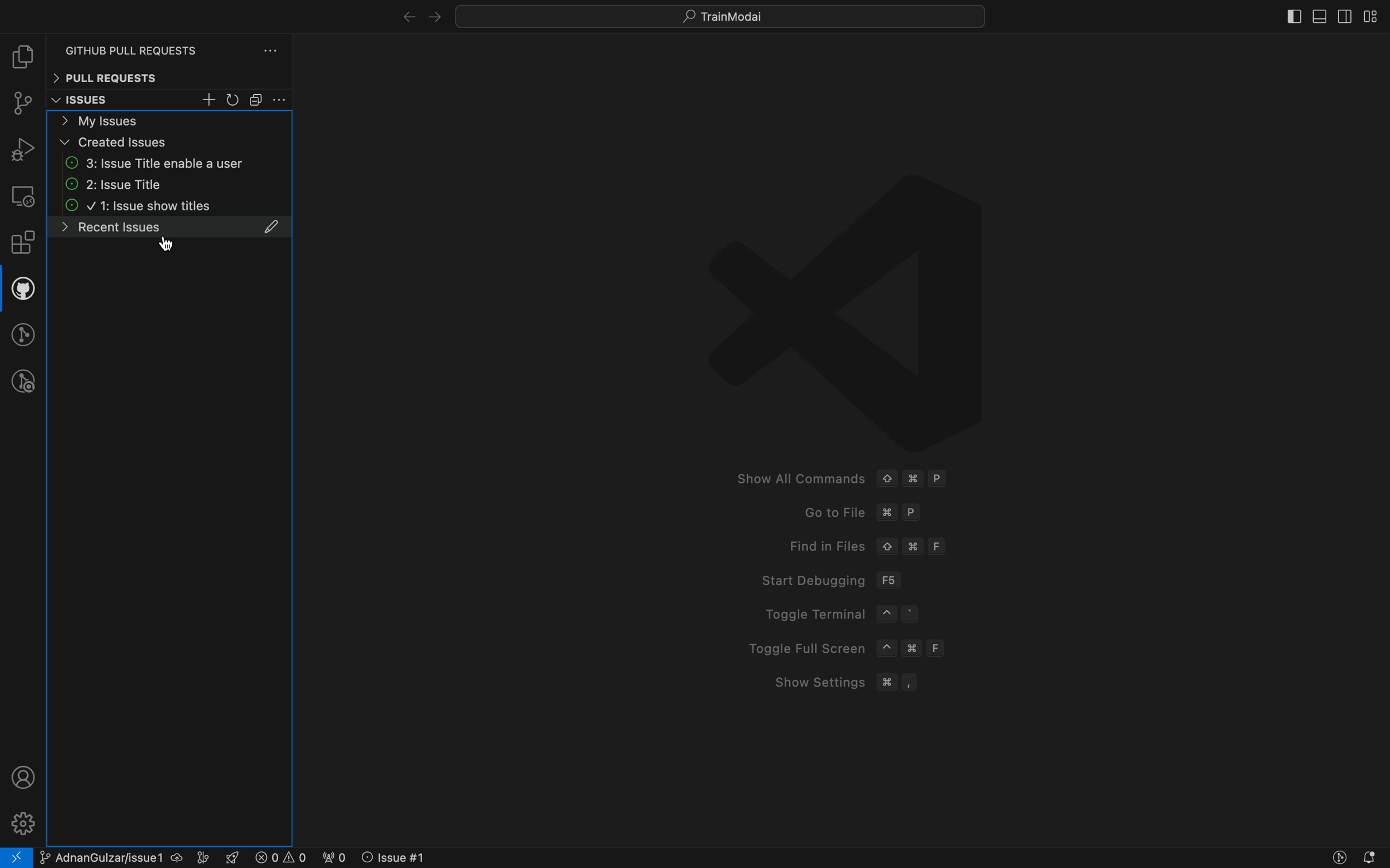 The width and height of the screenshot is (1390, 868). I want to click on git panel, so click(24, 105).